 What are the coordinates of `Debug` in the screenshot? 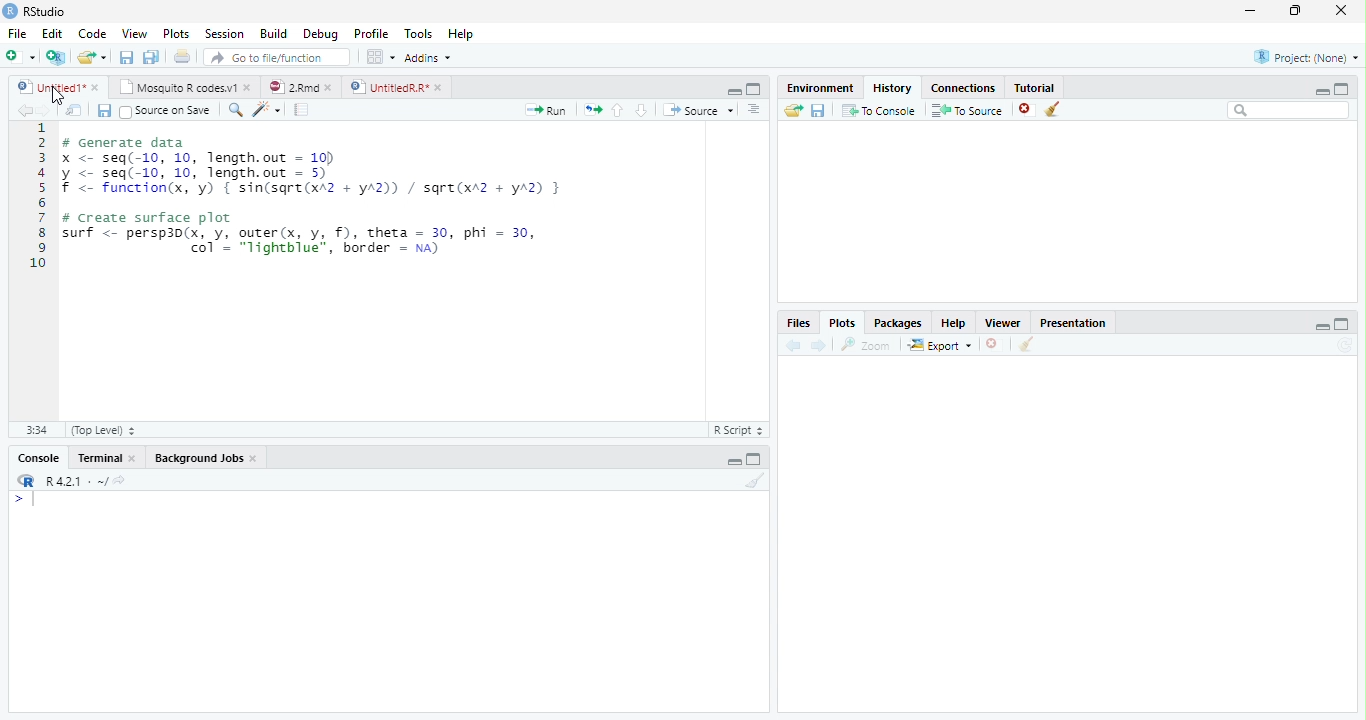 It's located at (320, 33).